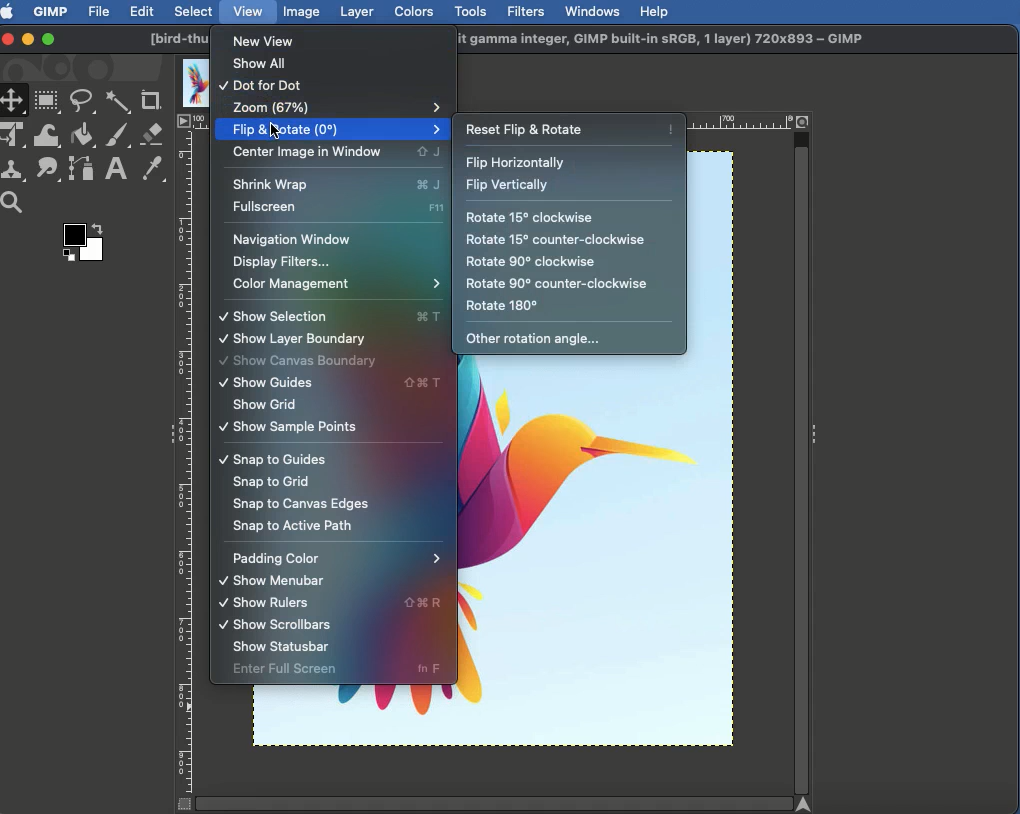 The image size is (1020, 814). What do you see at coordinates (265, 87) in the screenshot?
I see `Dot for dot` at bounding box center [265, 87].